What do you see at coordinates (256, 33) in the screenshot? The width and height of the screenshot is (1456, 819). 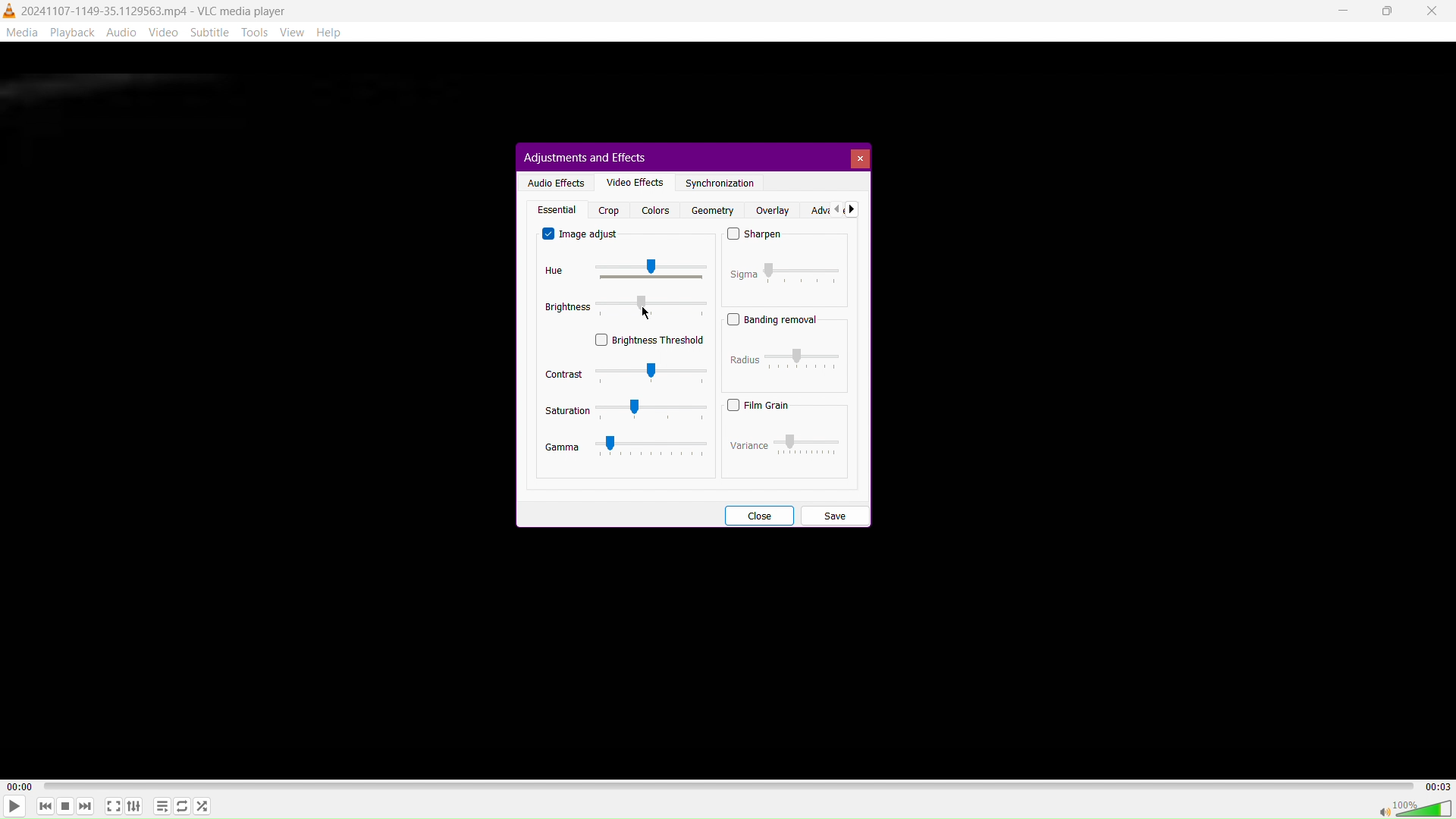 I see `Tools` at bounding box center [256, 33].